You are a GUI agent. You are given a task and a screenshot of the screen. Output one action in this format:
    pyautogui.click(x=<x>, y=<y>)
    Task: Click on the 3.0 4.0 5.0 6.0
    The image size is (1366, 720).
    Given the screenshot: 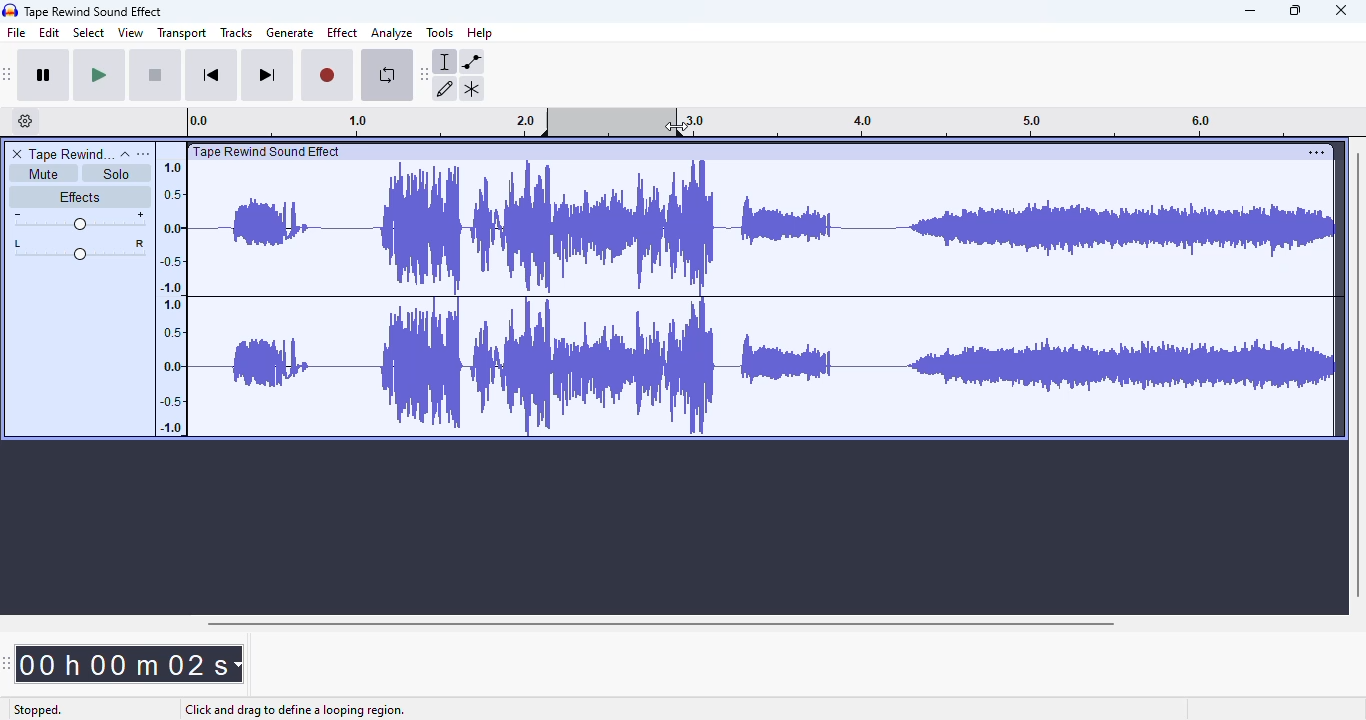 What is the action you would take?
    pyautogui.click(x=1022, y=119)
    